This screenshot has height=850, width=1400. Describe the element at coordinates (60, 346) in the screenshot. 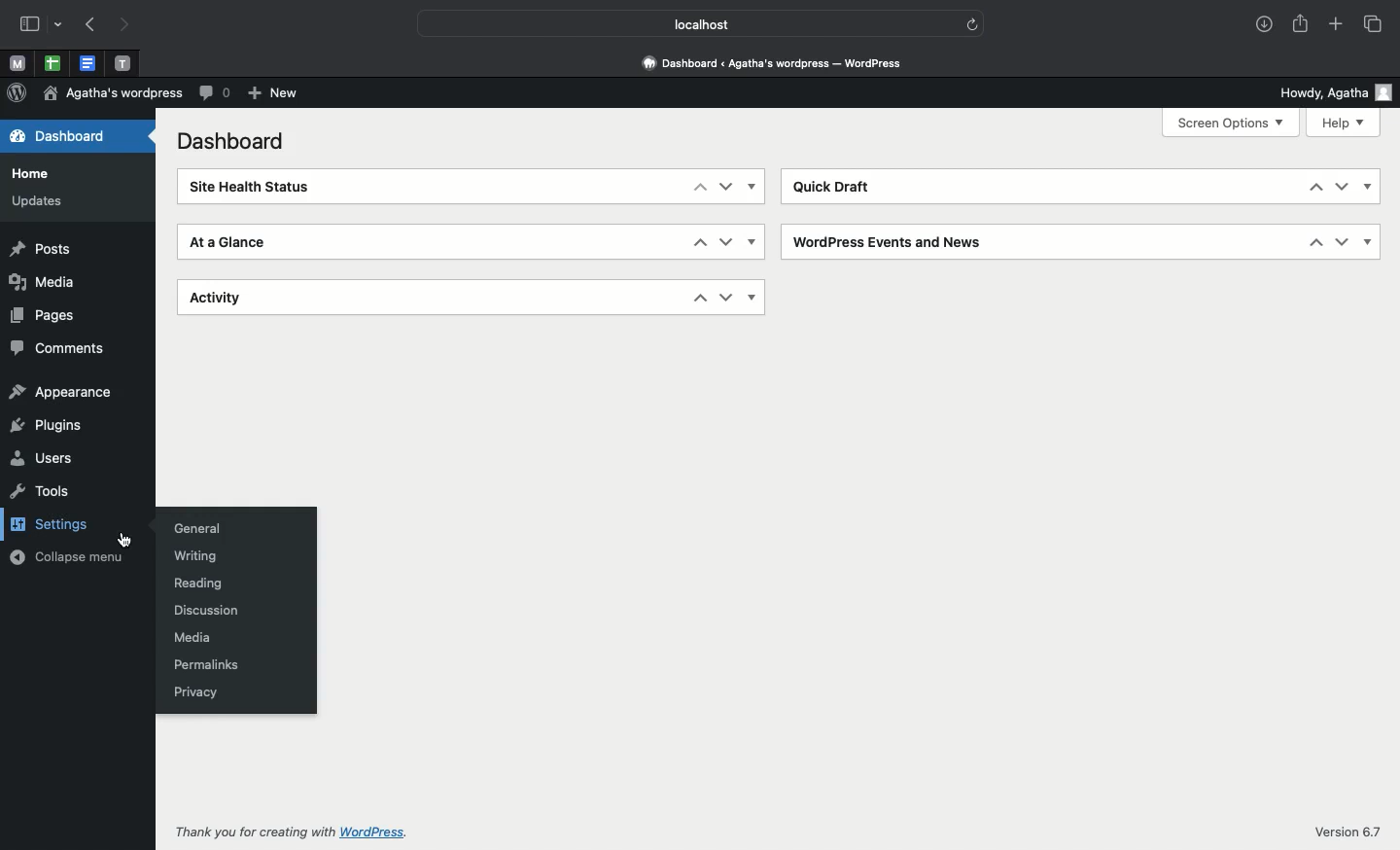

I see `Comments` at that location.